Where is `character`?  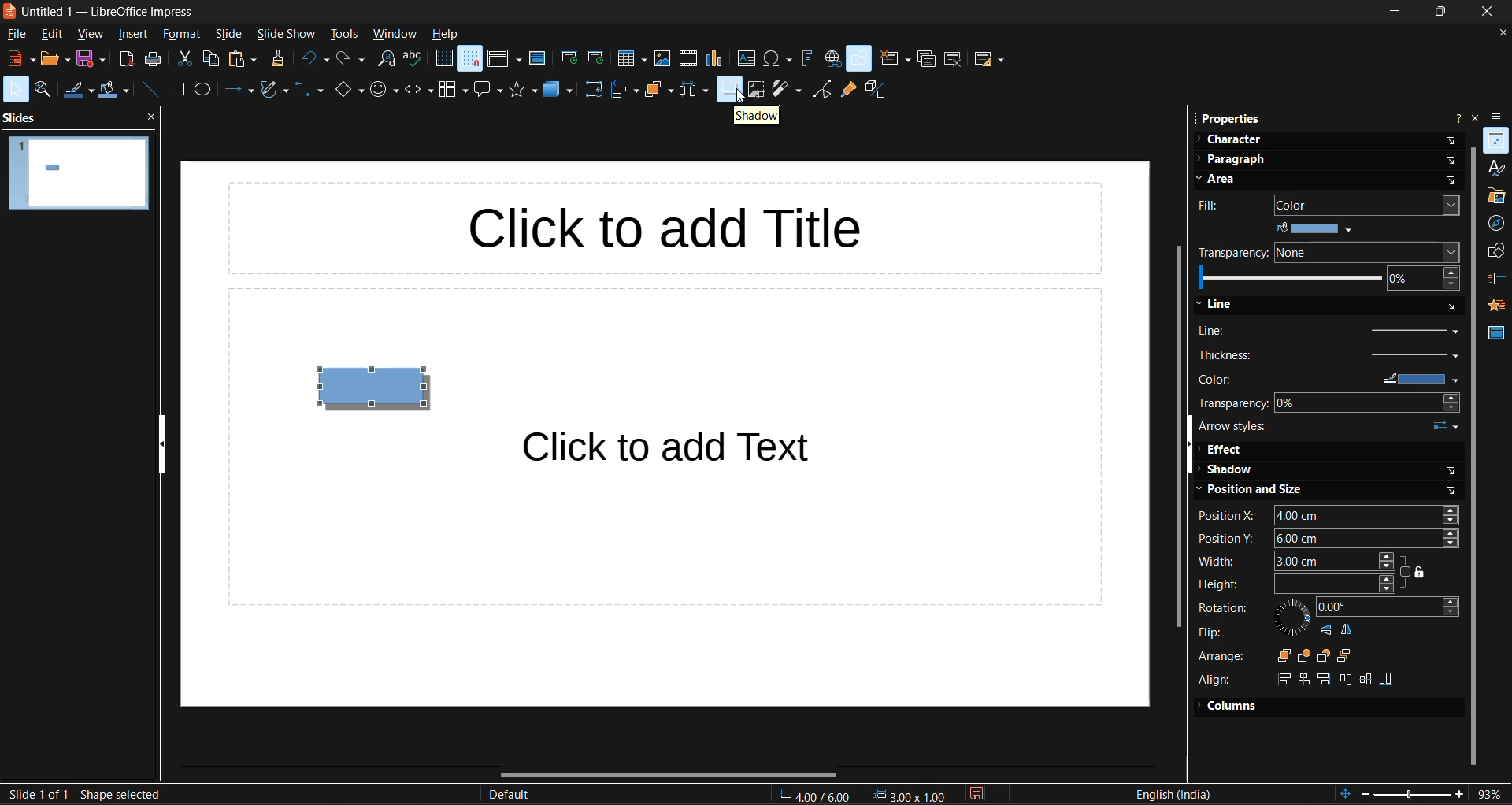 character is located at coordinates (1228, 139).